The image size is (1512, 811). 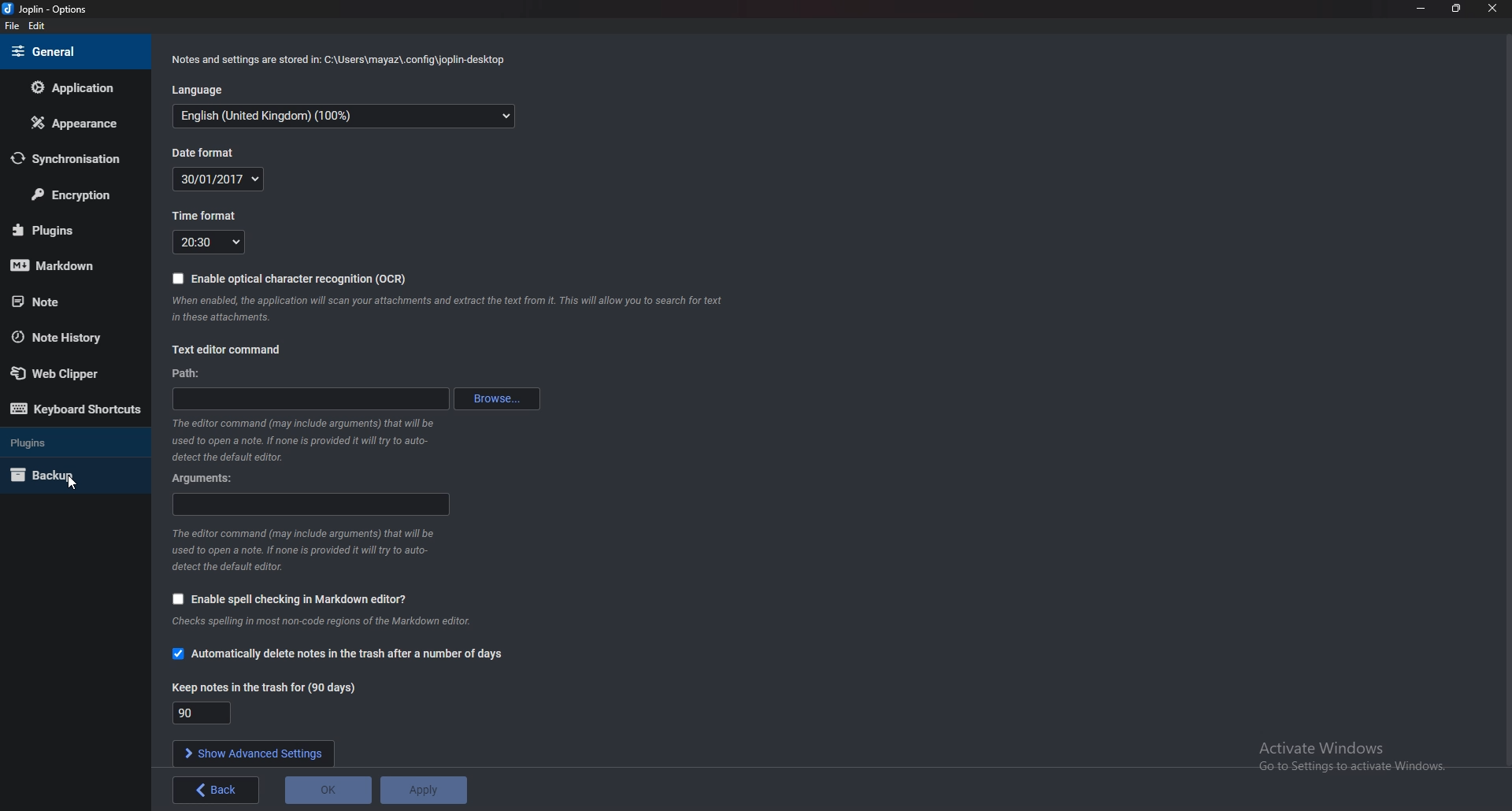 What do you see at coordinates (329, 791) in the screenshot?
I see `o K` at bounding box center [329, 791].